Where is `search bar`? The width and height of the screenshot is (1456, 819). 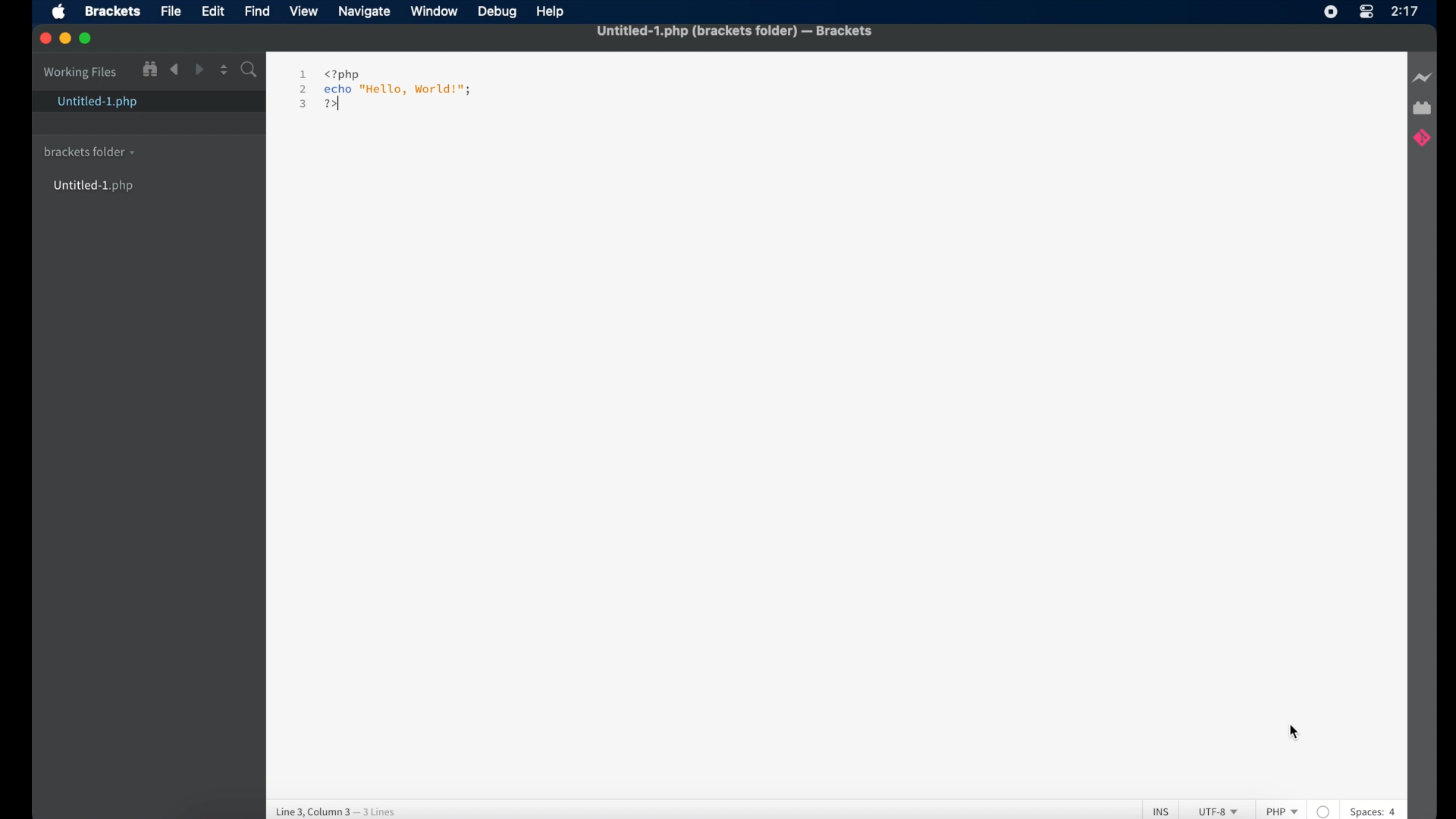
search bar is located at coordinates (249, 71).